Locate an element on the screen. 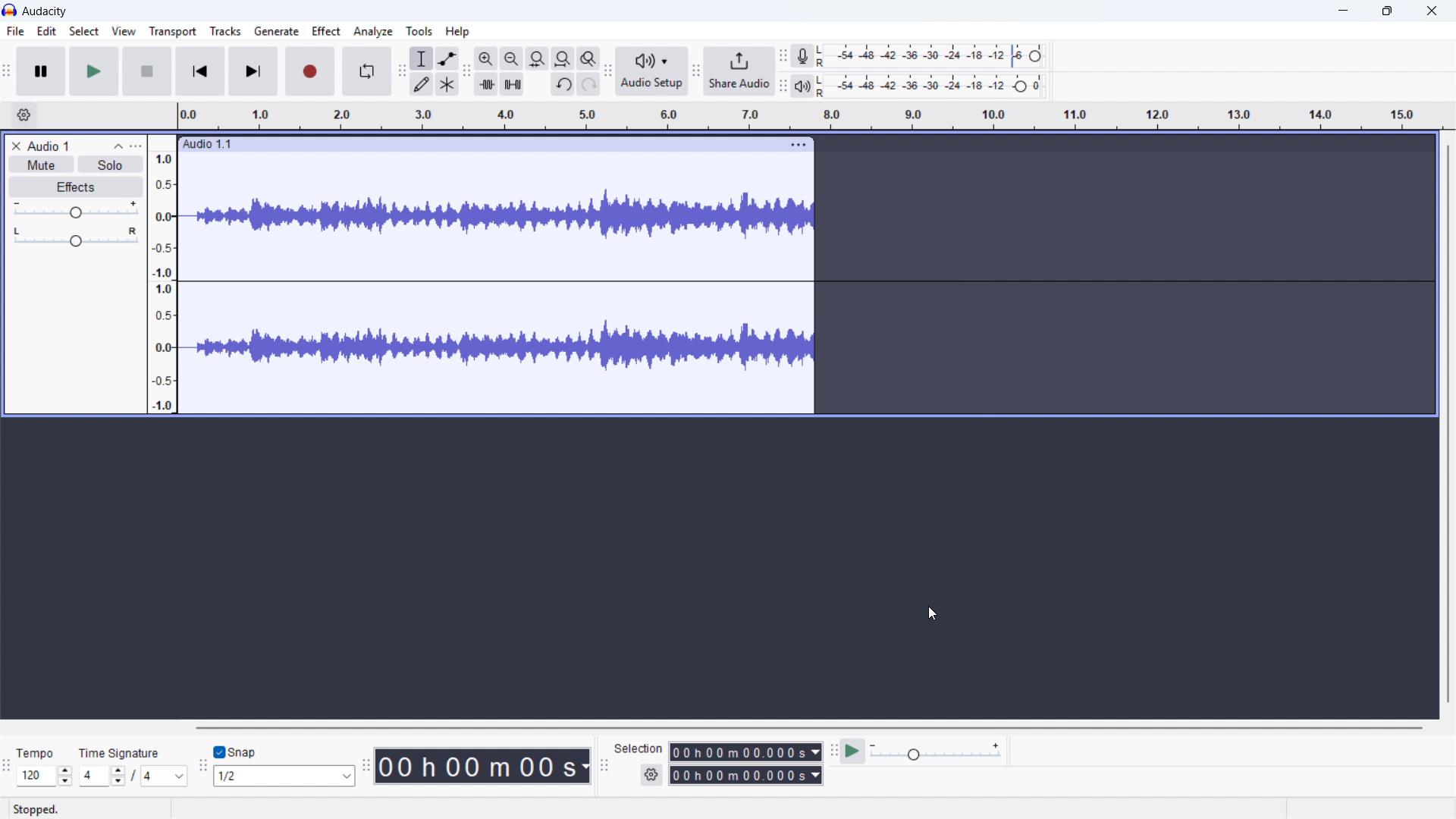  Time signature toolbar  is located at coordinates (7, 768).